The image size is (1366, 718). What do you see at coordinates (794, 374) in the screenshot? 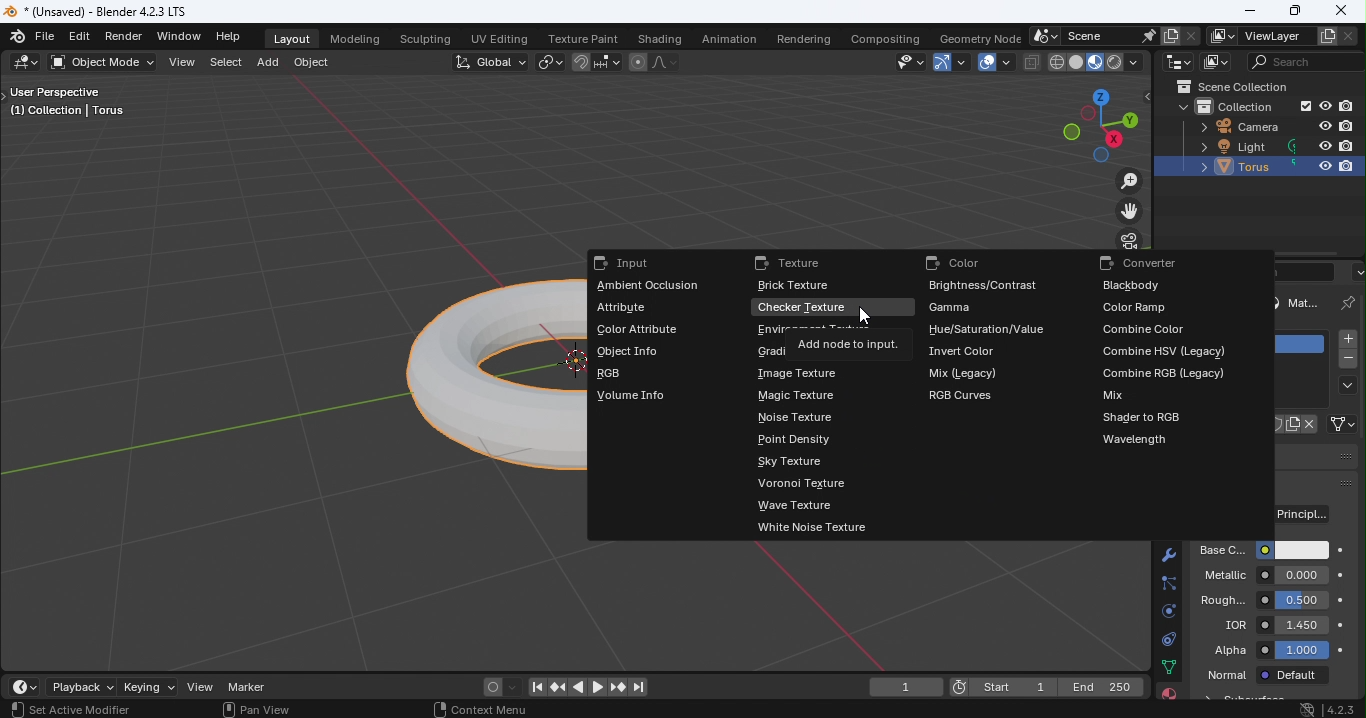
I see `Image texture` at bounding box center [794, 374].